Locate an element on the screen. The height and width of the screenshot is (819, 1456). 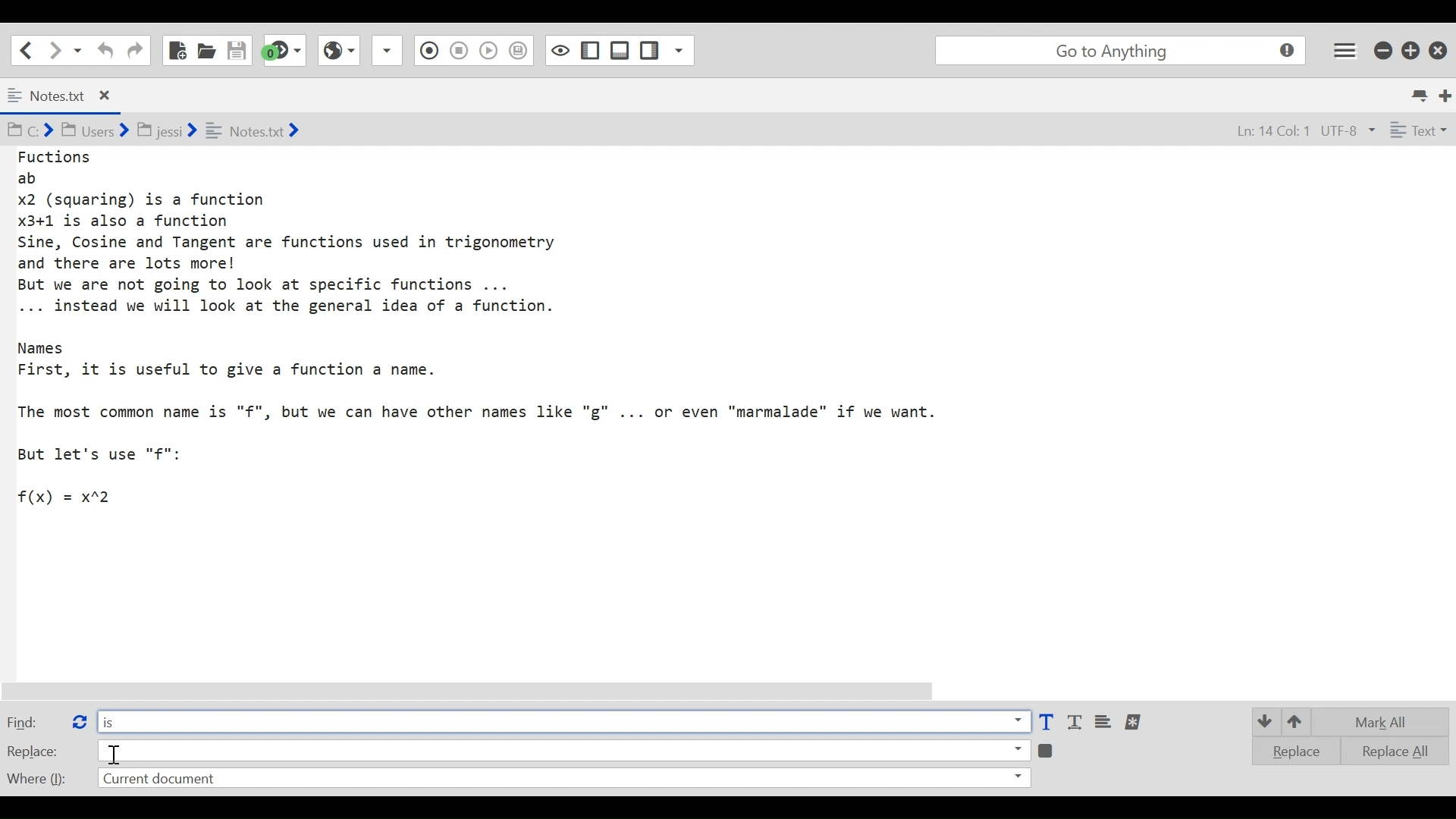
is is located at coordinates (563, 720).